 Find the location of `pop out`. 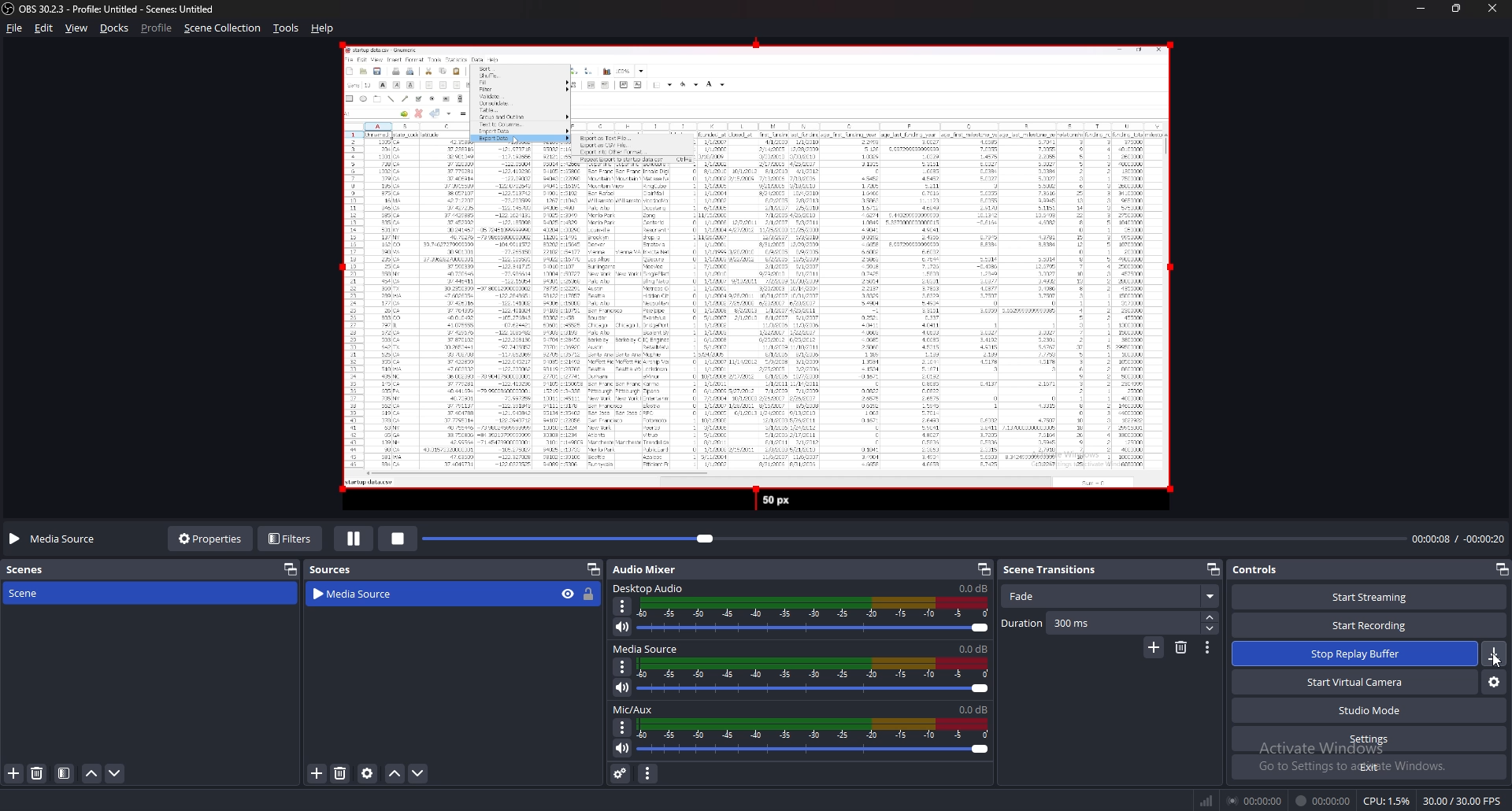

pop out is located at coordinates (1501, 569).